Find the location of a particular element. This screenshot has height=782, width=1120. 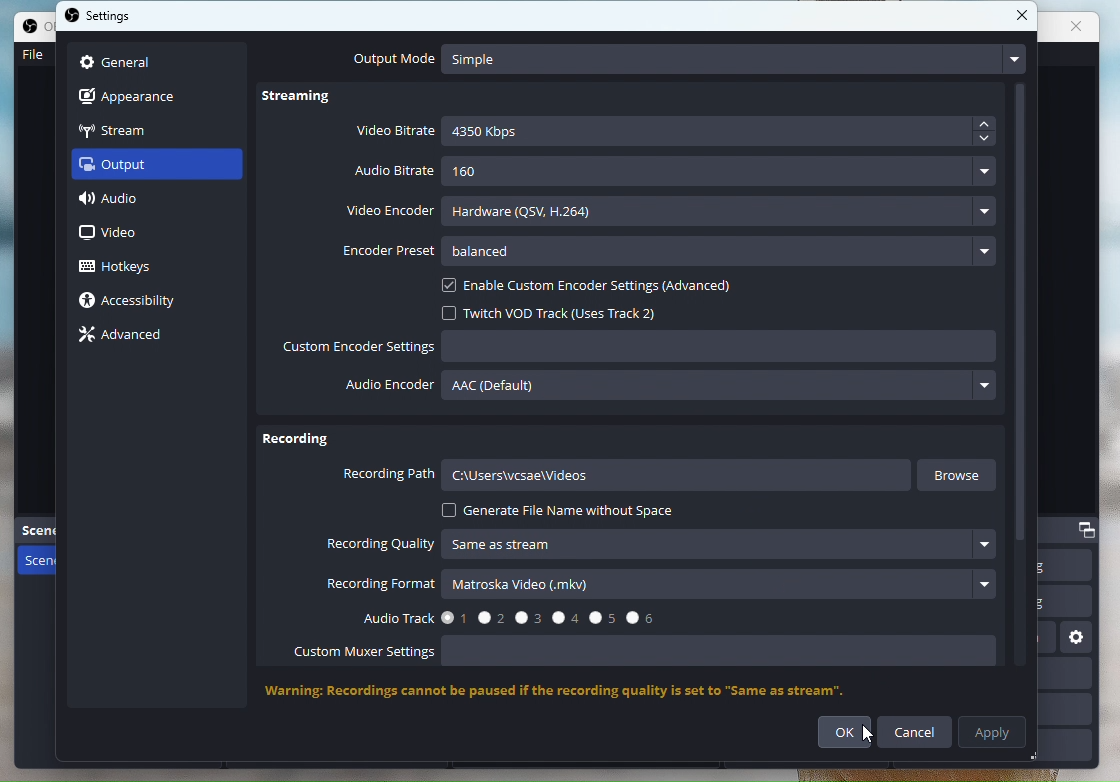

settings is located at coordinates (104, 18).